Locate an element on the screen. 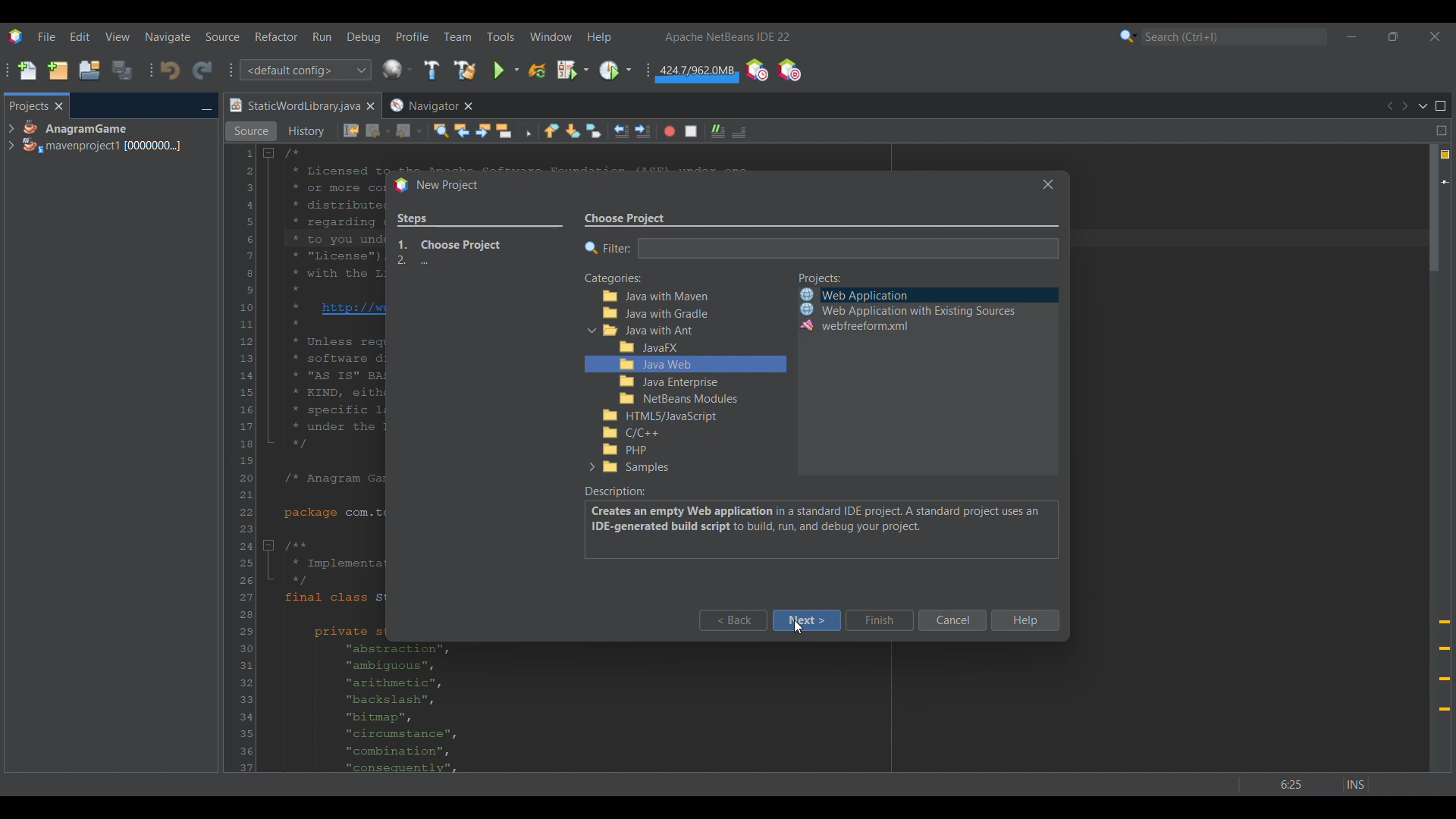 The image size is (1456, 819). Text box is located at coordinates (849, 248).